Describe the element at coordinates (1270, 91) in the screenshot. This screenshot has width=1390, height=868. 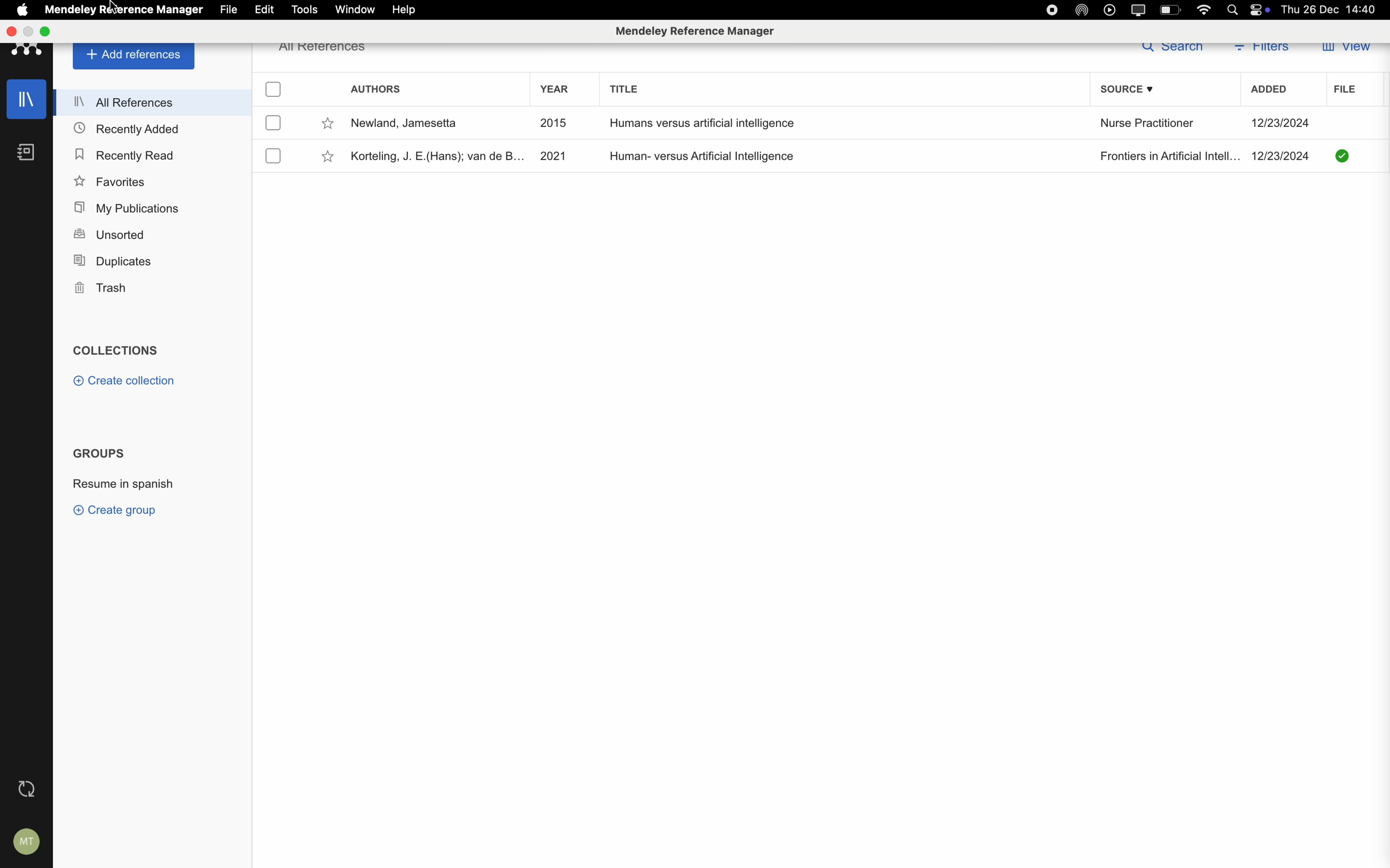
I see `added` at that location.